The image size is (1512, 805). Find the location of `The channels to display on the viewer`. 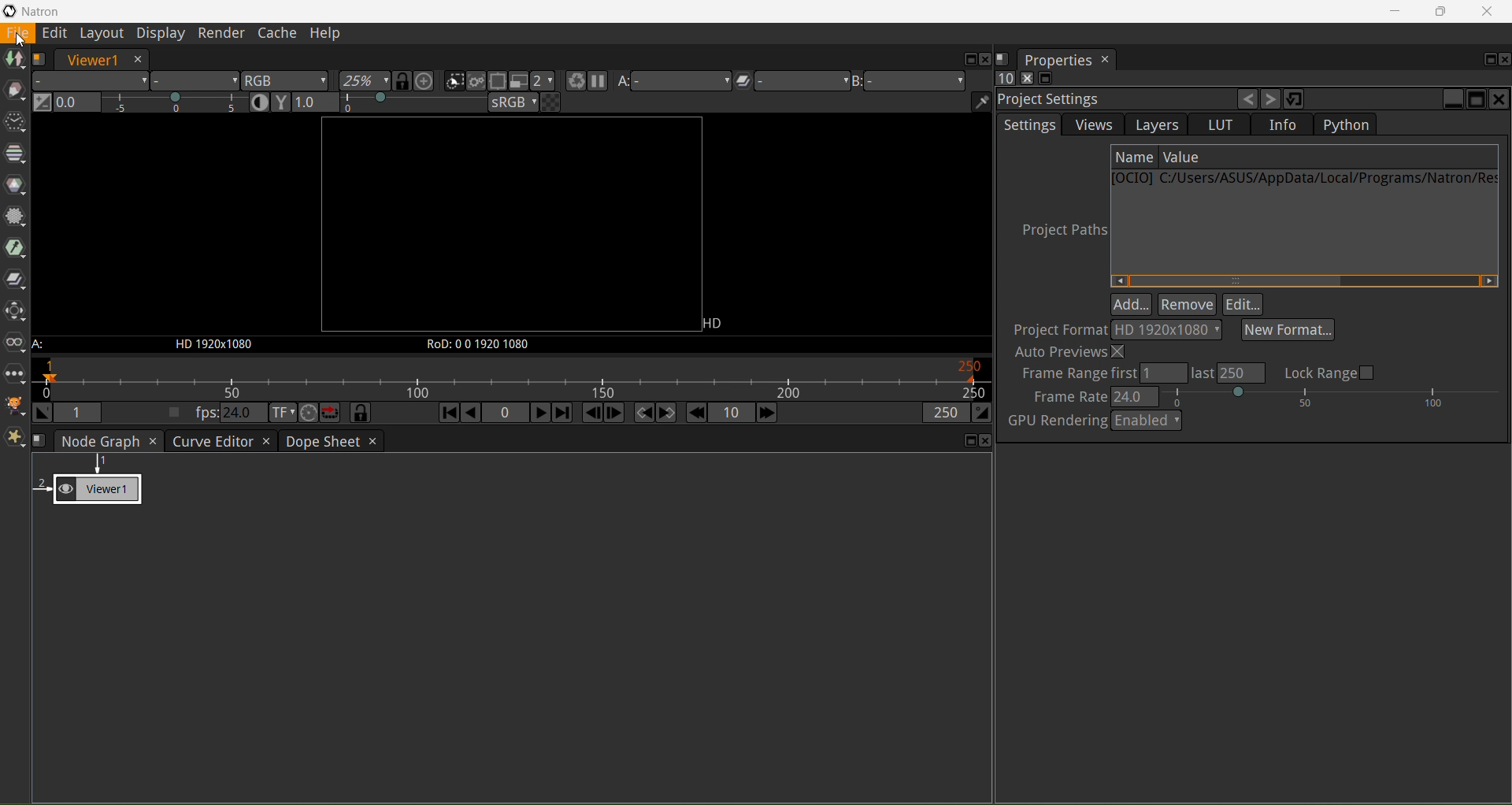

The channels to display on the viewer is located at coordinates (286, 81).